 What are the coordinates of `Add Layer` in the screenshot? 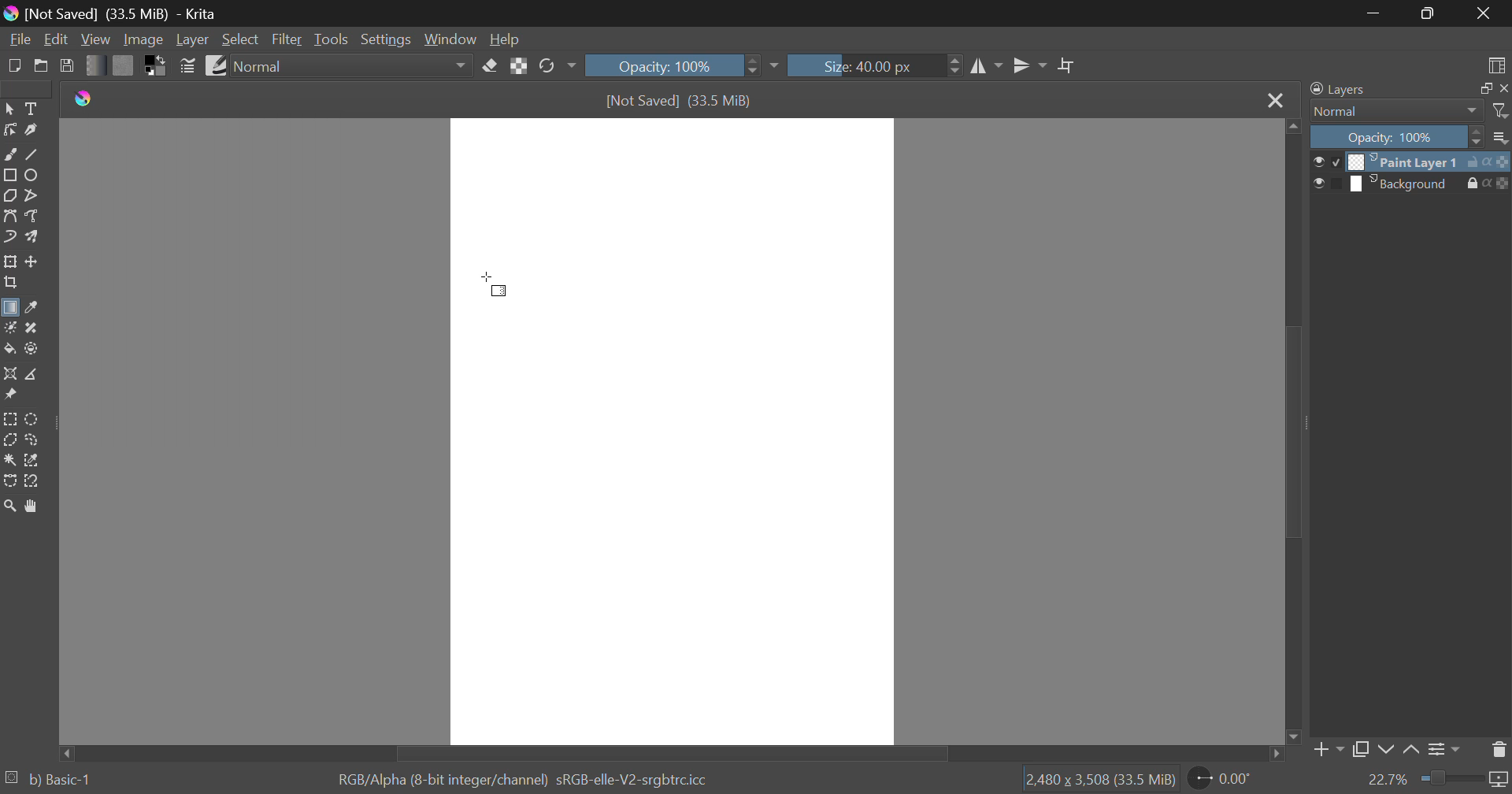 It's located at (1327, 753).